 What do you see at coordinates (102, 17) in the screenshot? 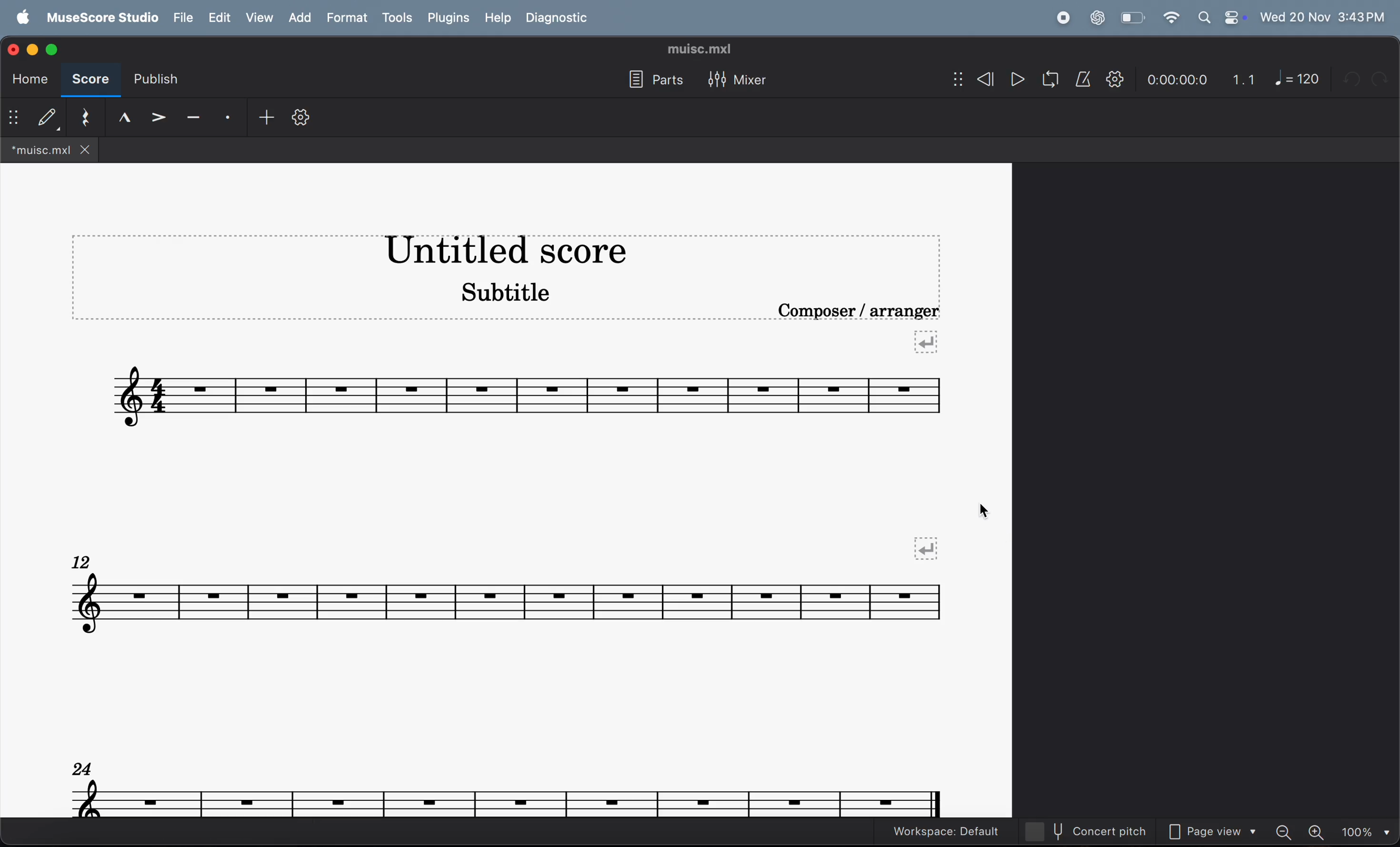
I see `musescore studio` at bounding box center [102, 17].